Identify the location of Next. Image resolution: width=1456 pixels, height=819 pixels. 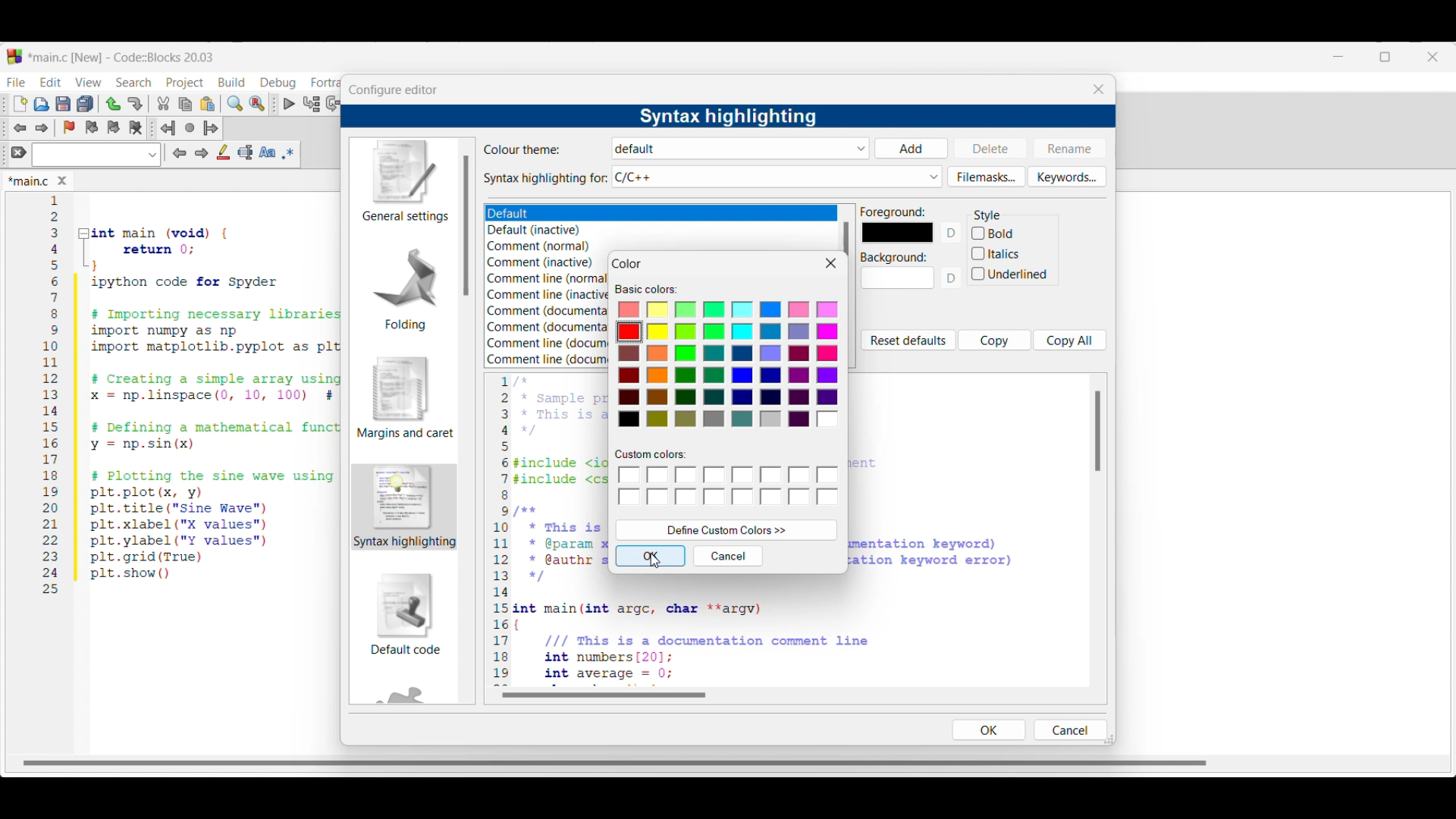
(201, 152).